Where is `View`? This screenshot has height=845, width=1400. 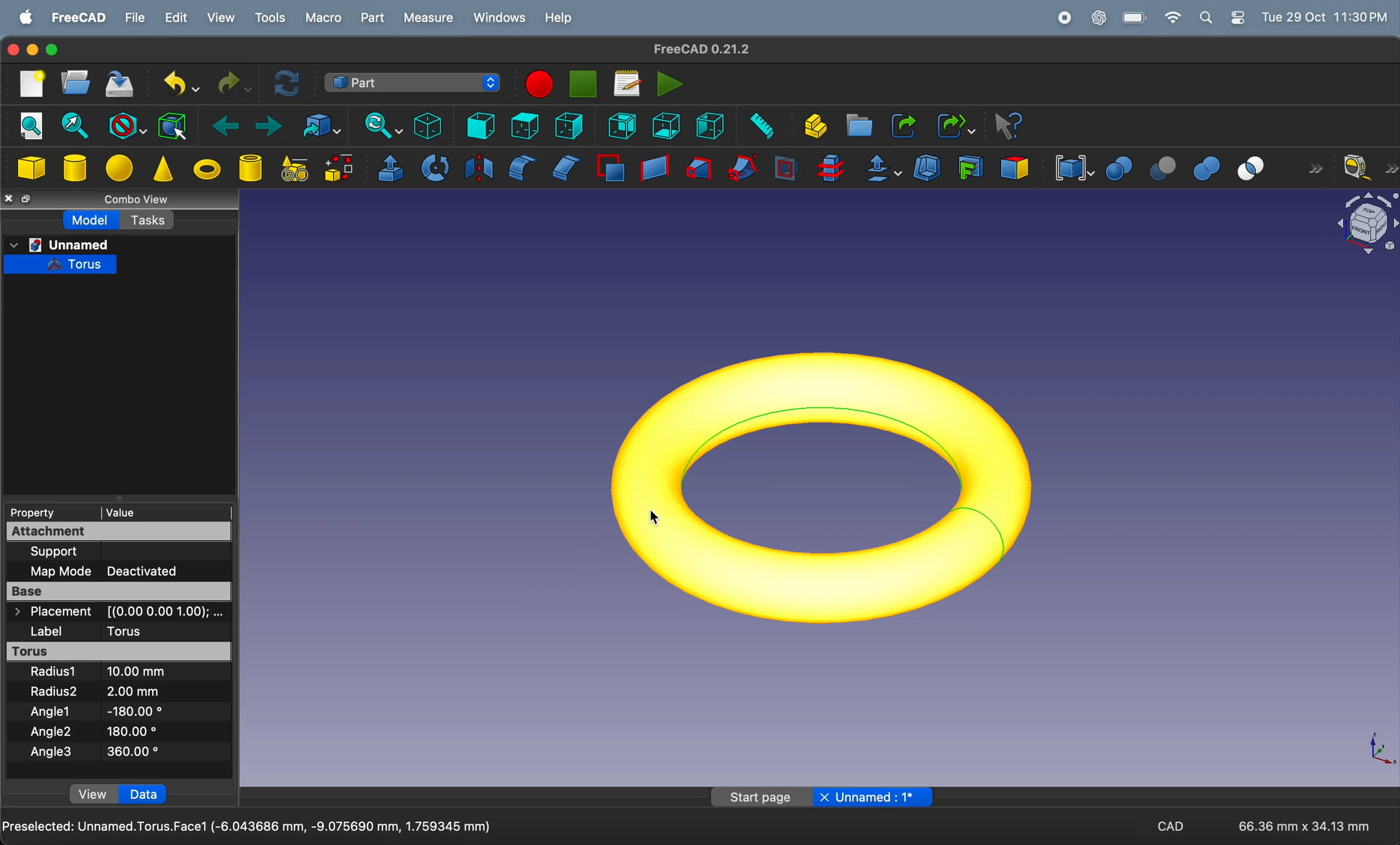
View is located at coordinates (94, 793).